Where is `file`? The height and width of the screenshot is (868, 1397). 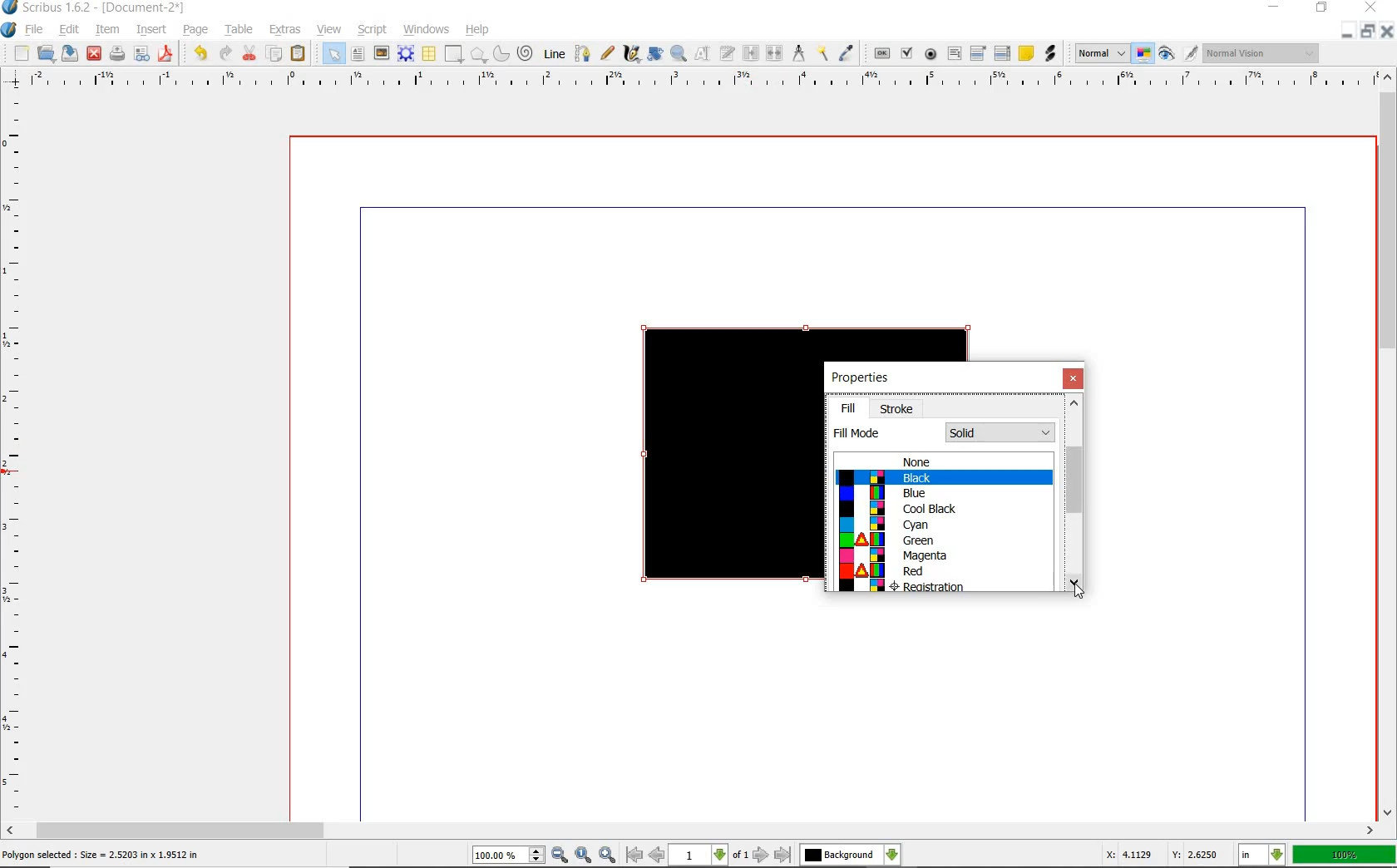
file is located at coordinates (35, 32).